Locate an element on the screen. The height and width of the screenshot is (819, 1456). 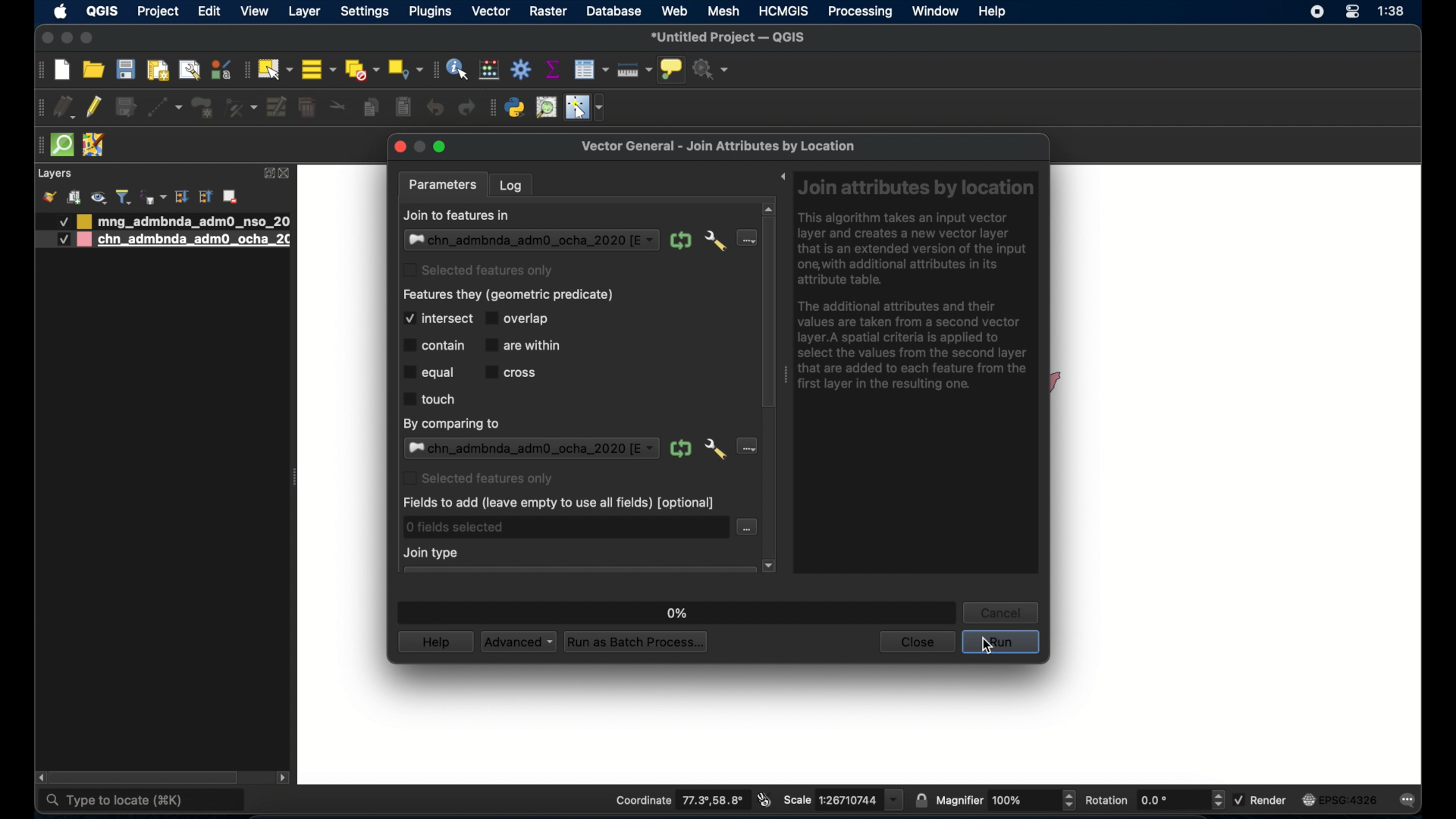
inactive minimize button is located at coordinates (419, 148).